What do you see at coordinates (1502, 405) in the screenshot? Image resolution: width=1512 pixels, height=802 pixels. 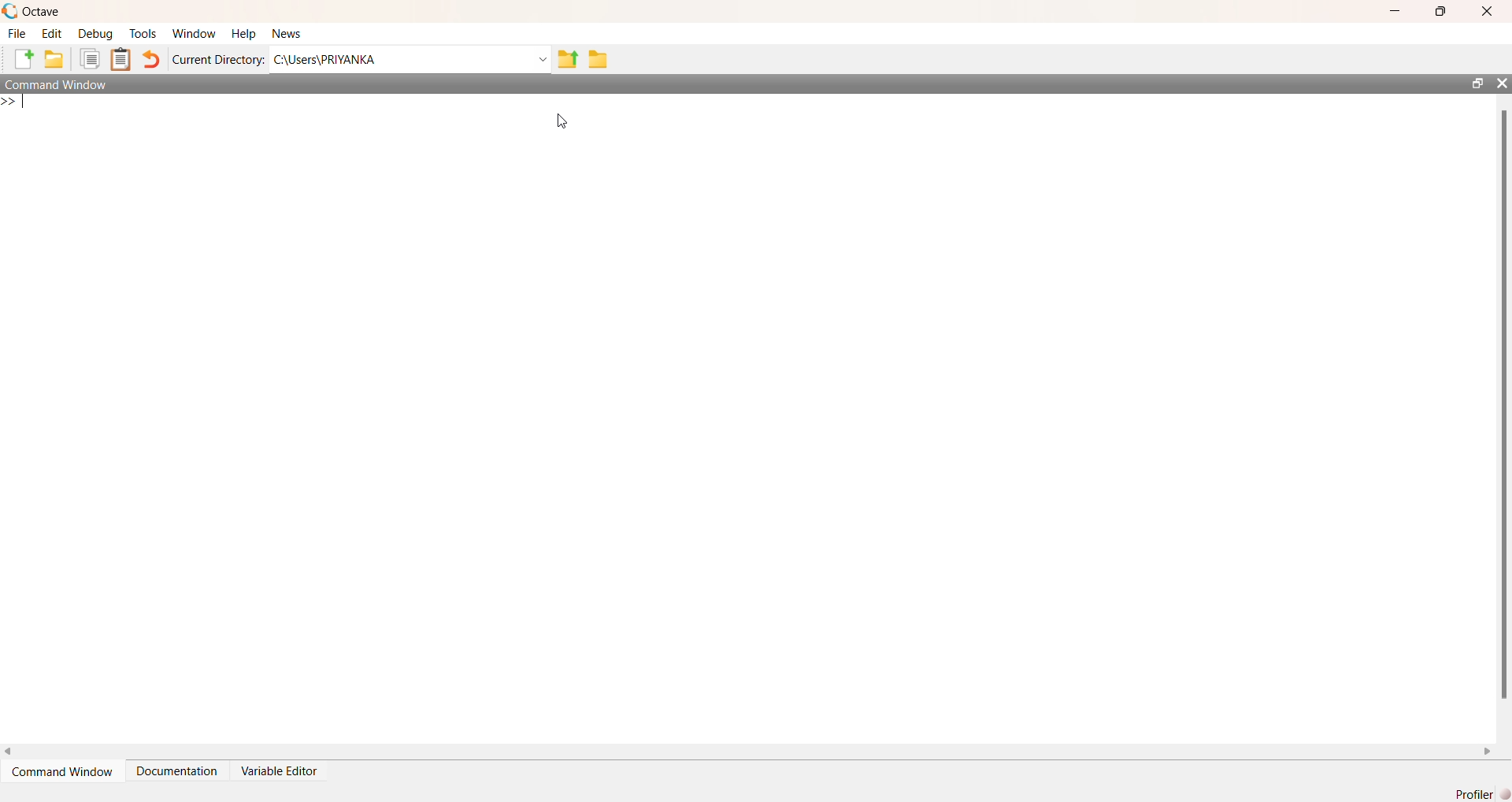 I see `scrollbar` at bounding box center [1502, 405].